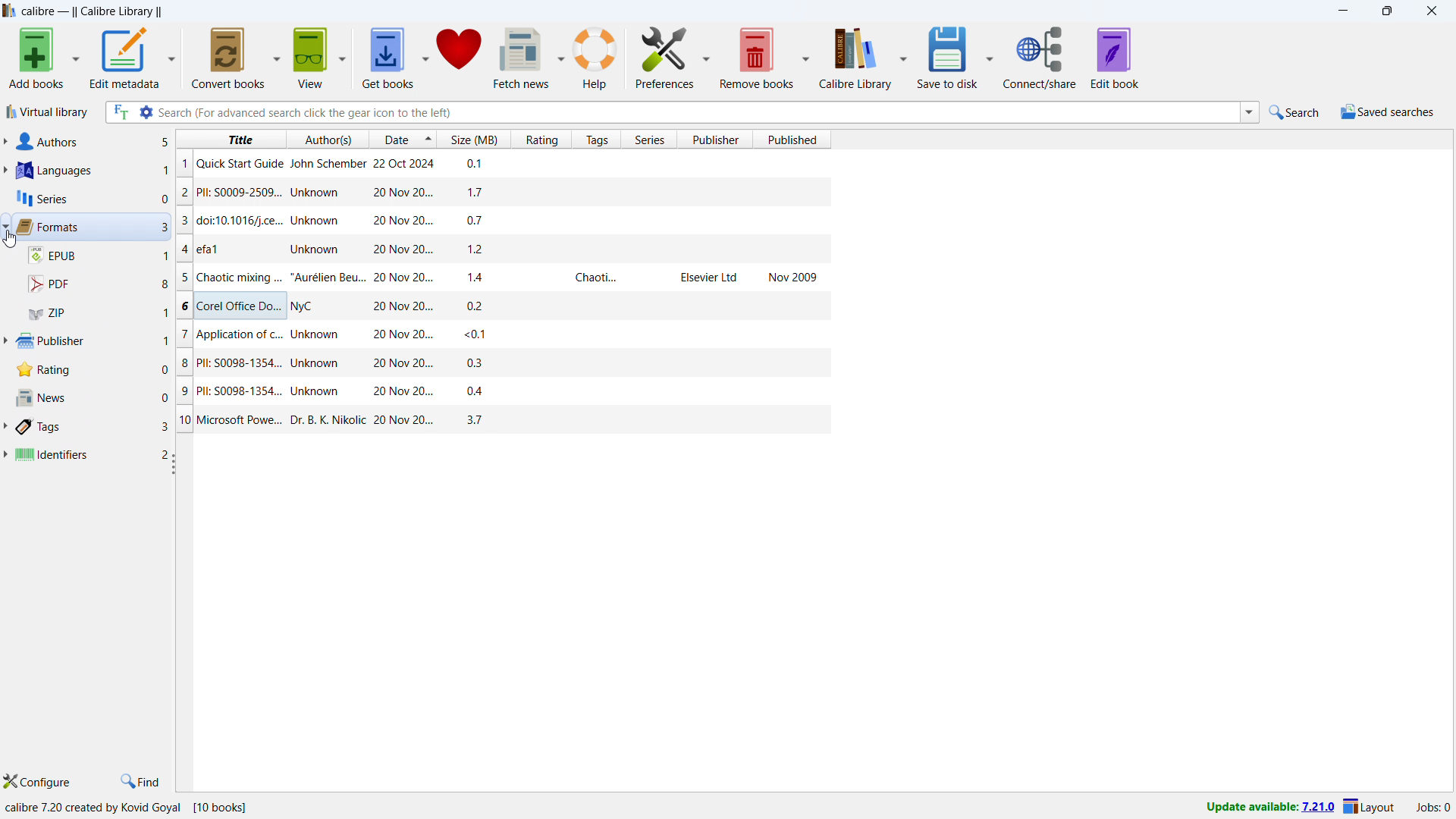  I want to click on convert books, so click(230, 58).